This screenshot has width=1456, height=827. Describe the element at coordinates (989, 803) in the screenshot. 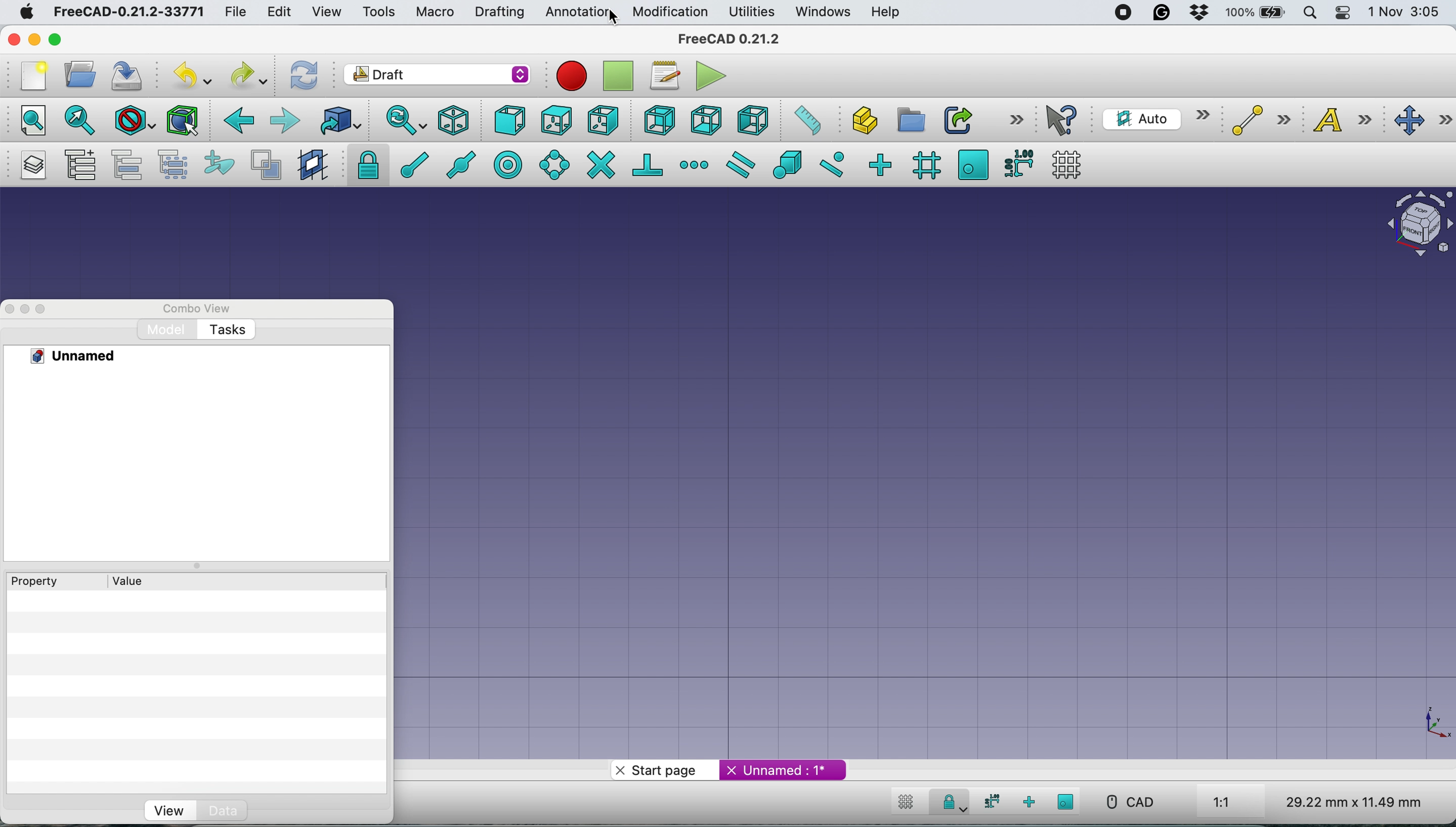

I see `snap dimensions` at that location.